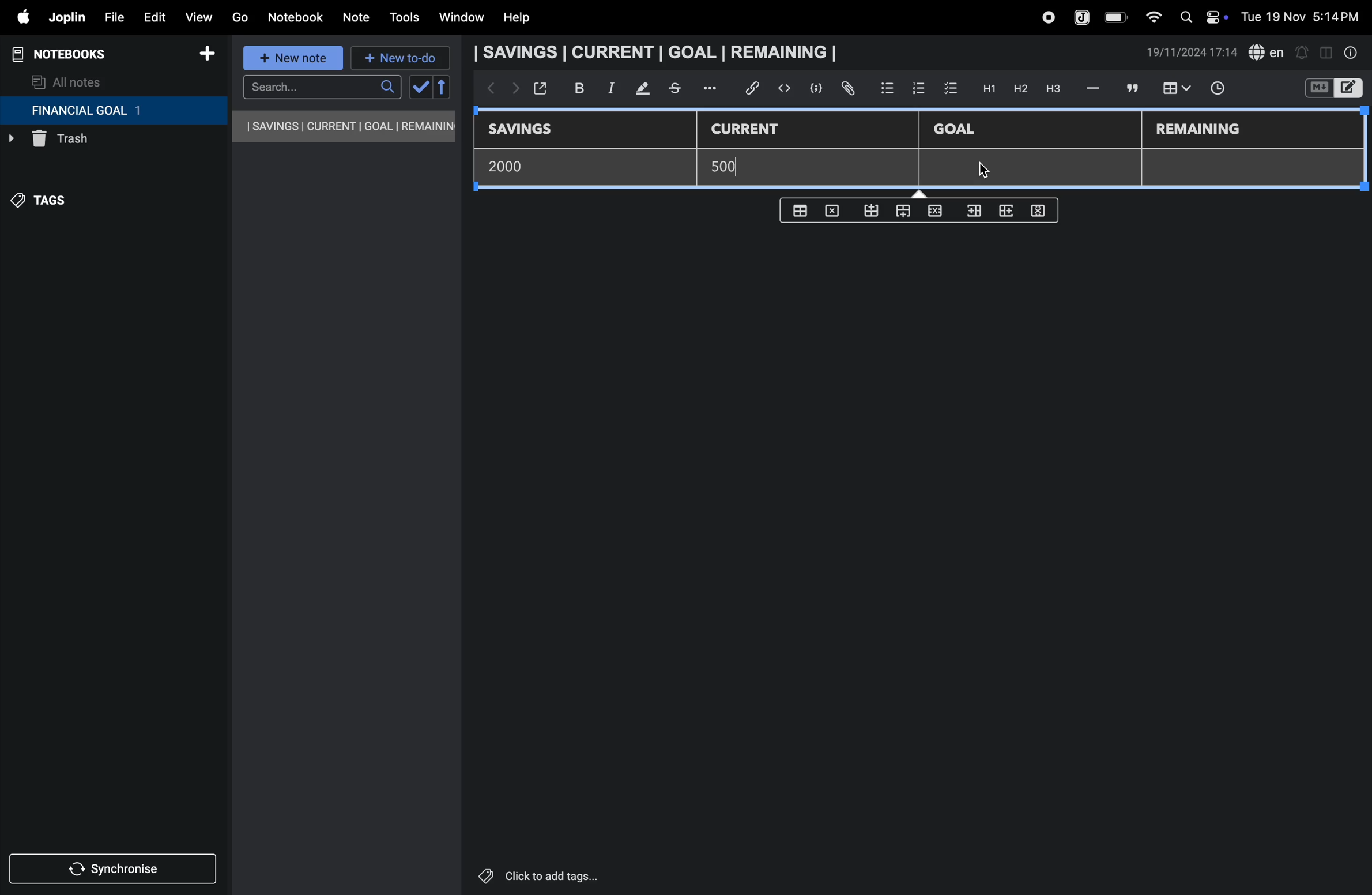 Image resolution: width=1372 pixels, height=895 pixels. What do you see at coordinates (295, 59) in the screenshot?
I see `new note` at bounding box center [295, 59].